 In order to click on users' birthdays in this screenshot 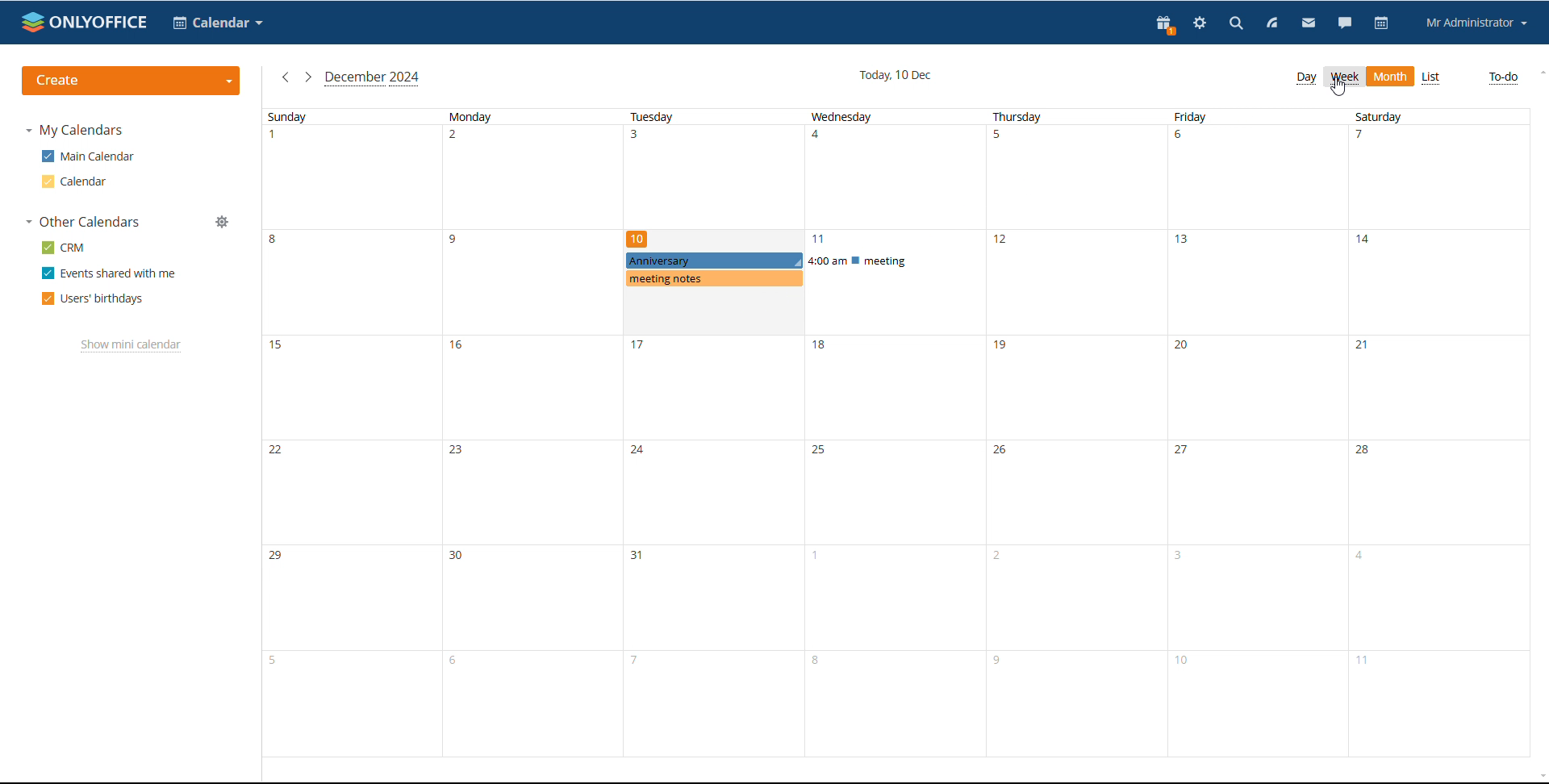, I will do `click(91, 300)`.